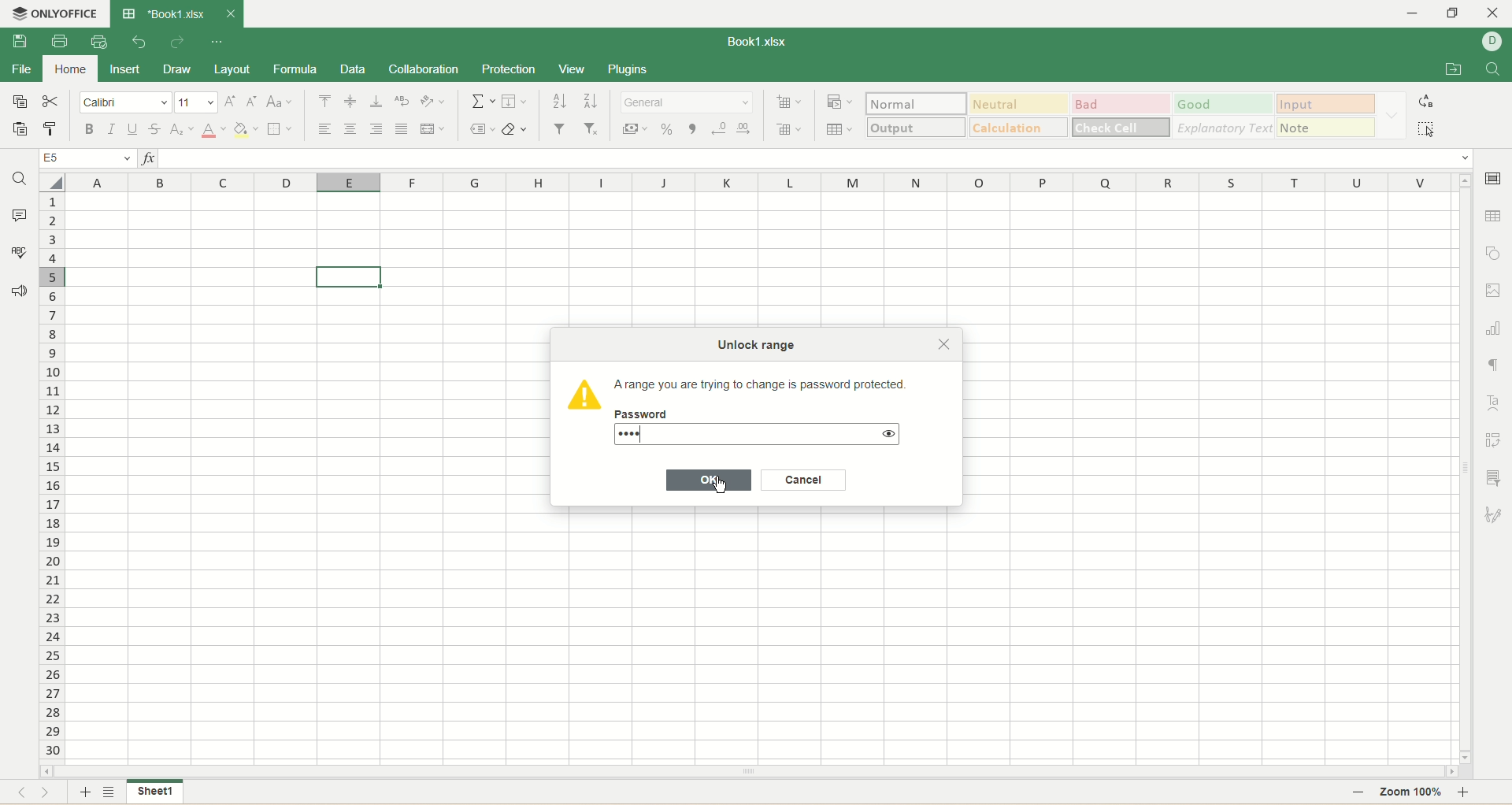 The image size is (1512, 805). I want to click on previous, so click(23, 794).